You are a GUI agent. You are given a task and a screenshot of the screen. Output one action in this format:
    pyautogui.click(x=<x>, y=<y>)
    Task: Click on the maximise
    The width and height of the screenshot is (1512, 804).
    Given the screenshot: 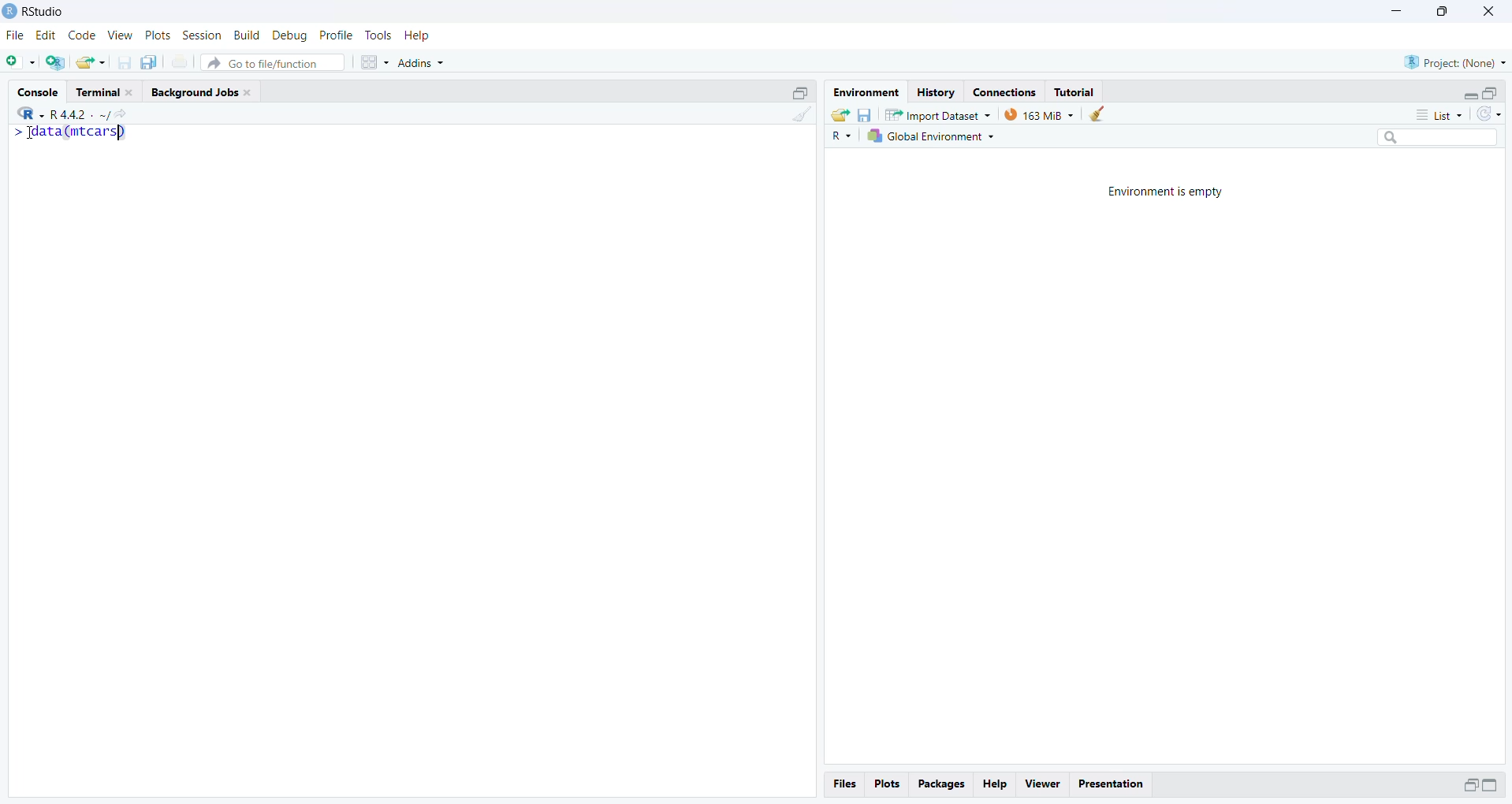 What is the action you would take?
    pyautogui.click(x=1442, y=12)
    